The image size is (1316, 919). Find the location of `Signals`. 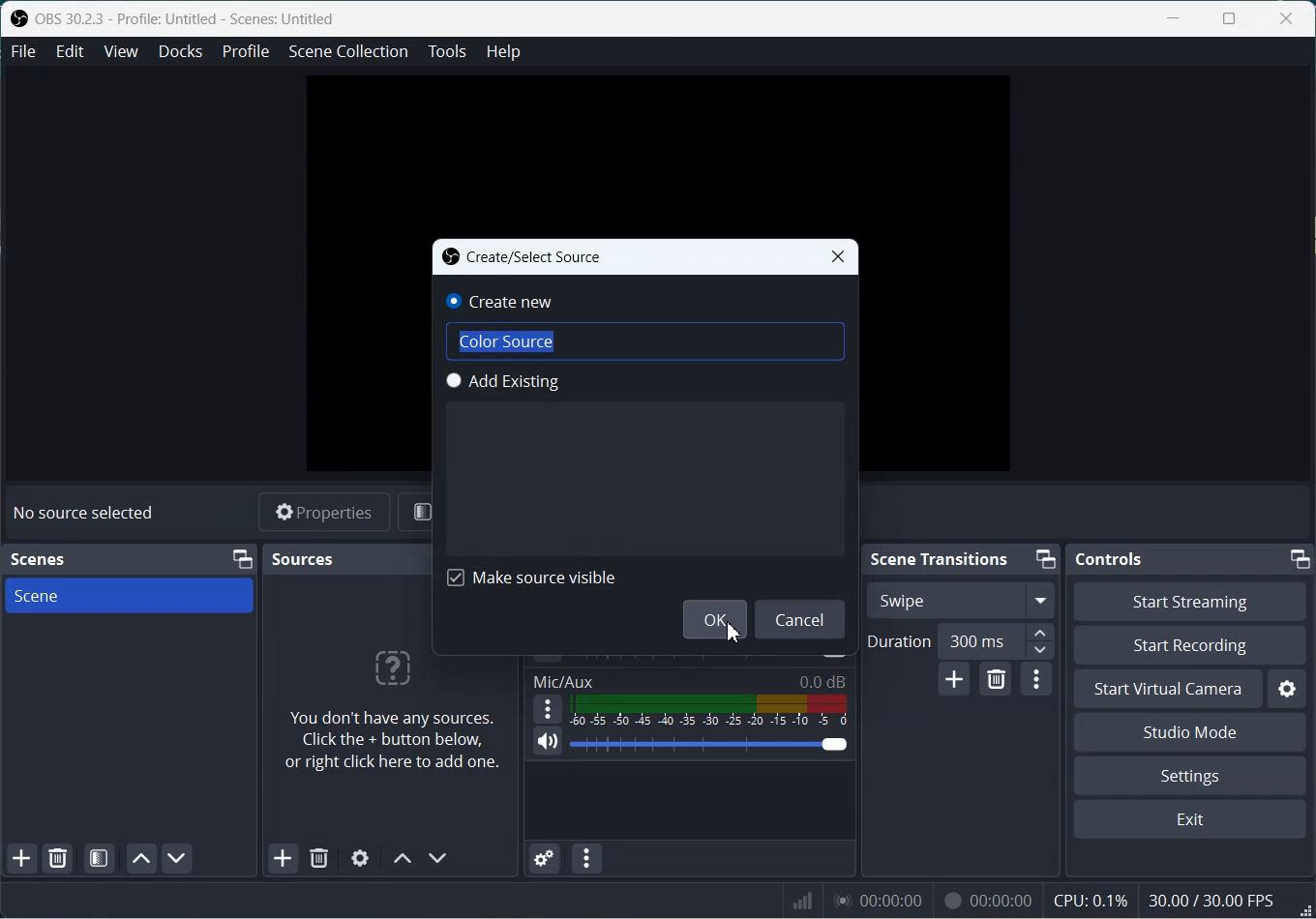

Signals is located at coordinates (795, 898).